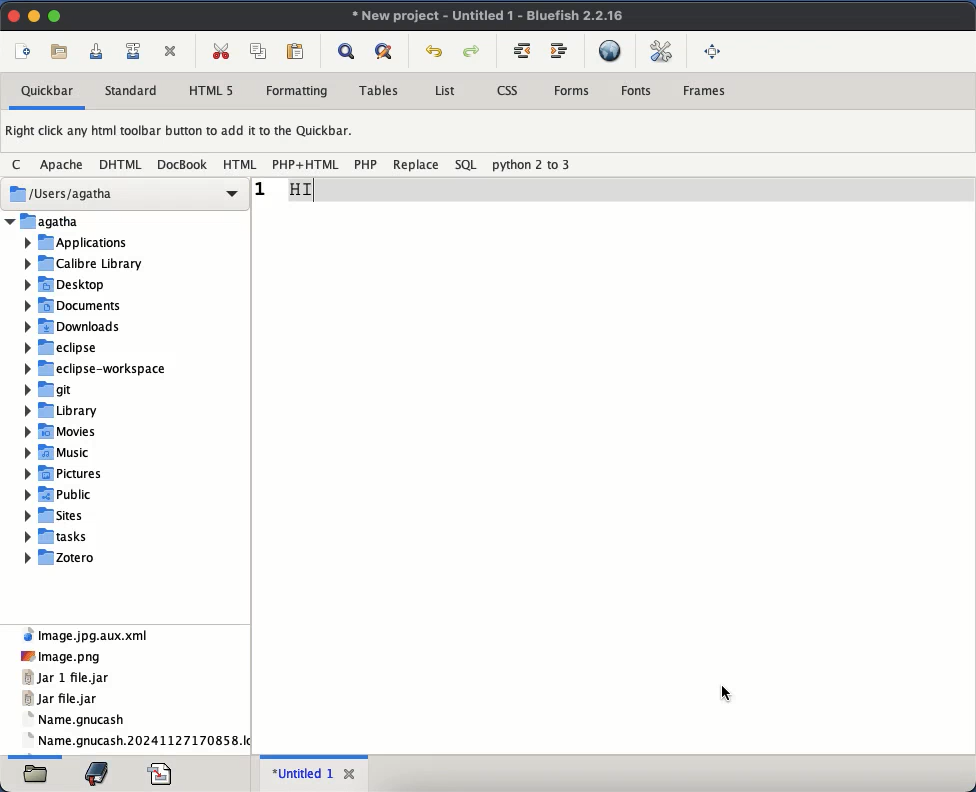  Describe the element at coordinates (298, 92) in the screenshot. I see `formatting` at that location.